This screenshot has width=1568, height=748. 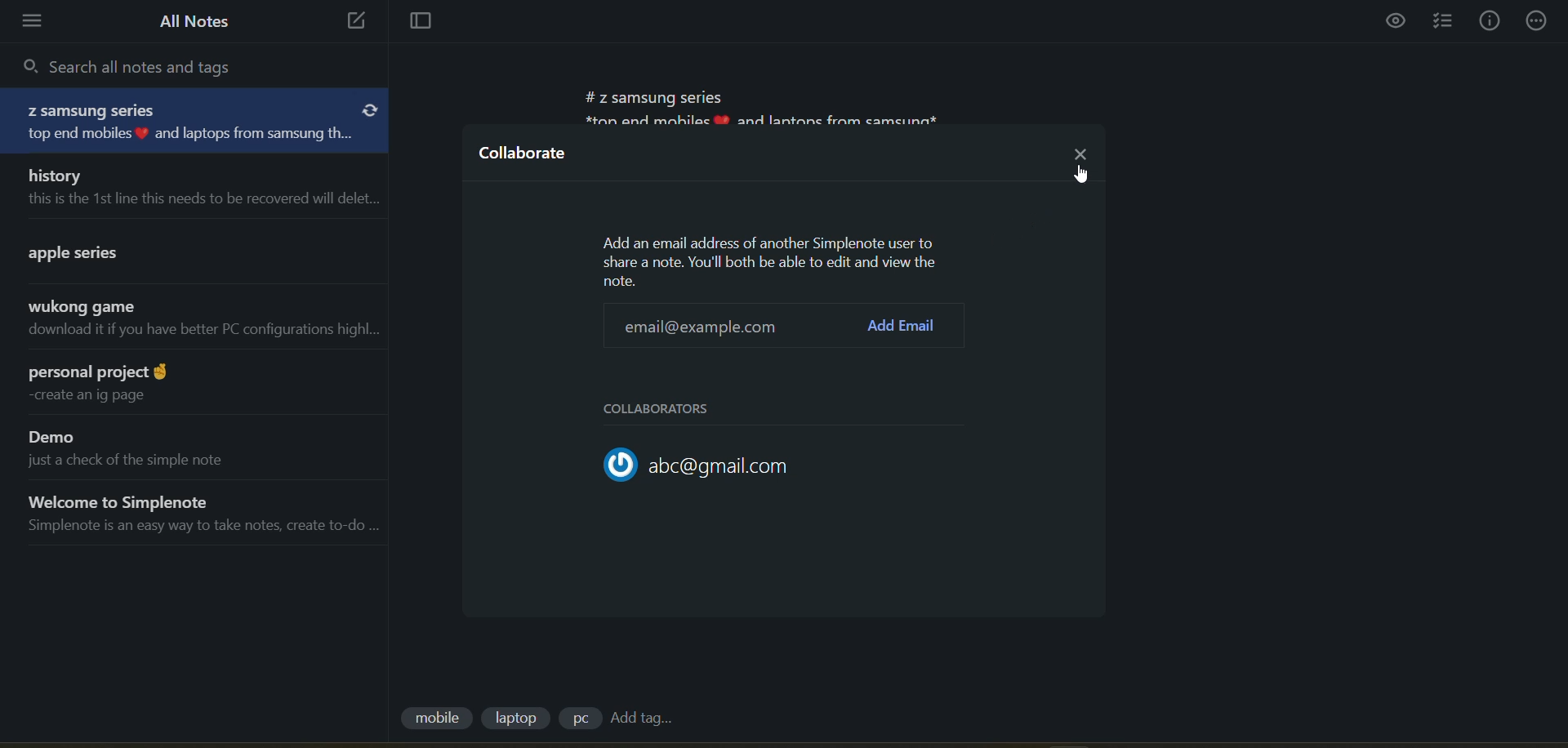 I want to click on collaborators, so click(x=670, y=409).